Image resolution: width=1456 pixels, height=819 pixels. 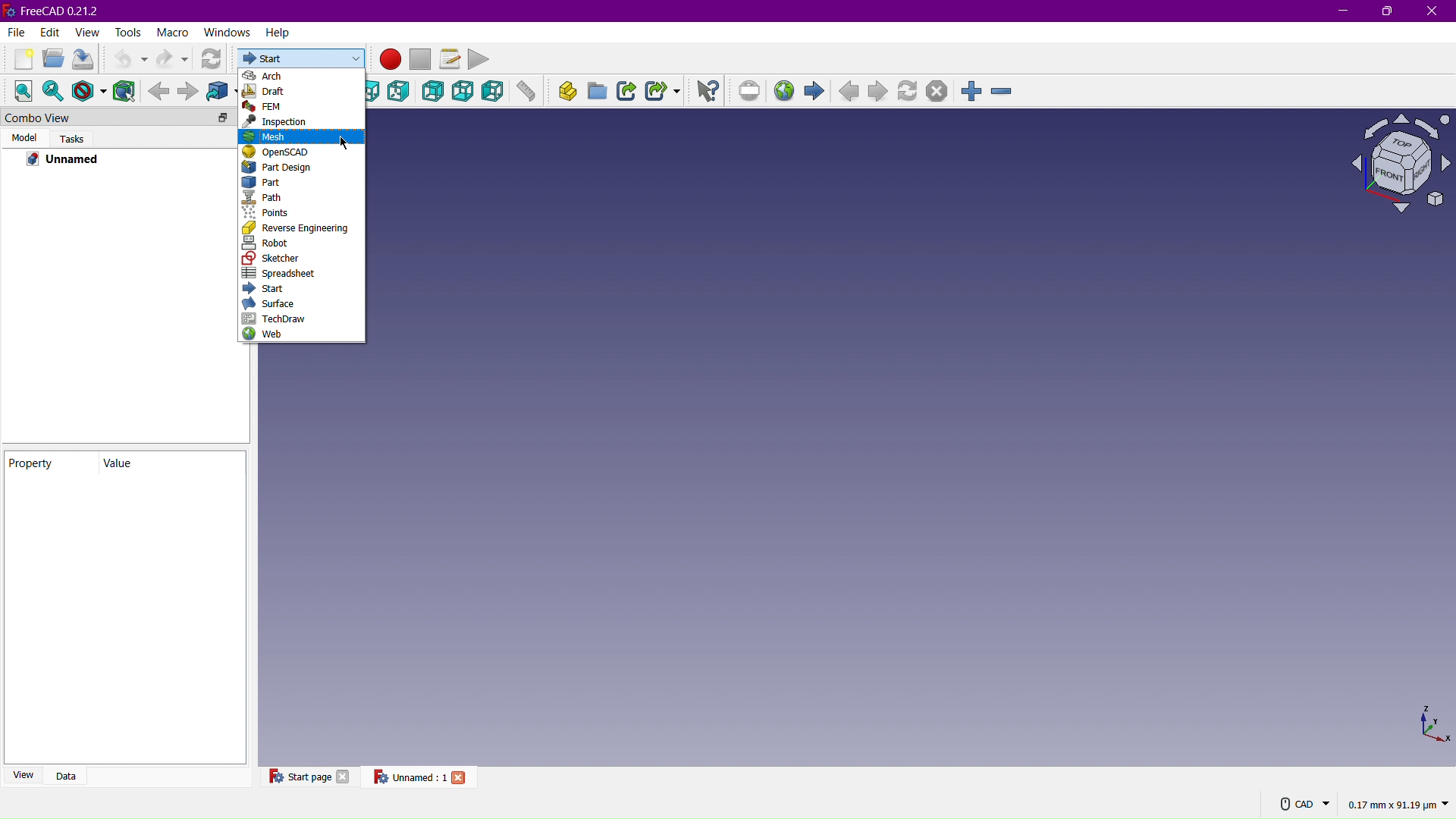 What do you see at coordinates (304, 227) in the screenshot?
I see `Reverse Engineering` at bounding box center [304, 227].